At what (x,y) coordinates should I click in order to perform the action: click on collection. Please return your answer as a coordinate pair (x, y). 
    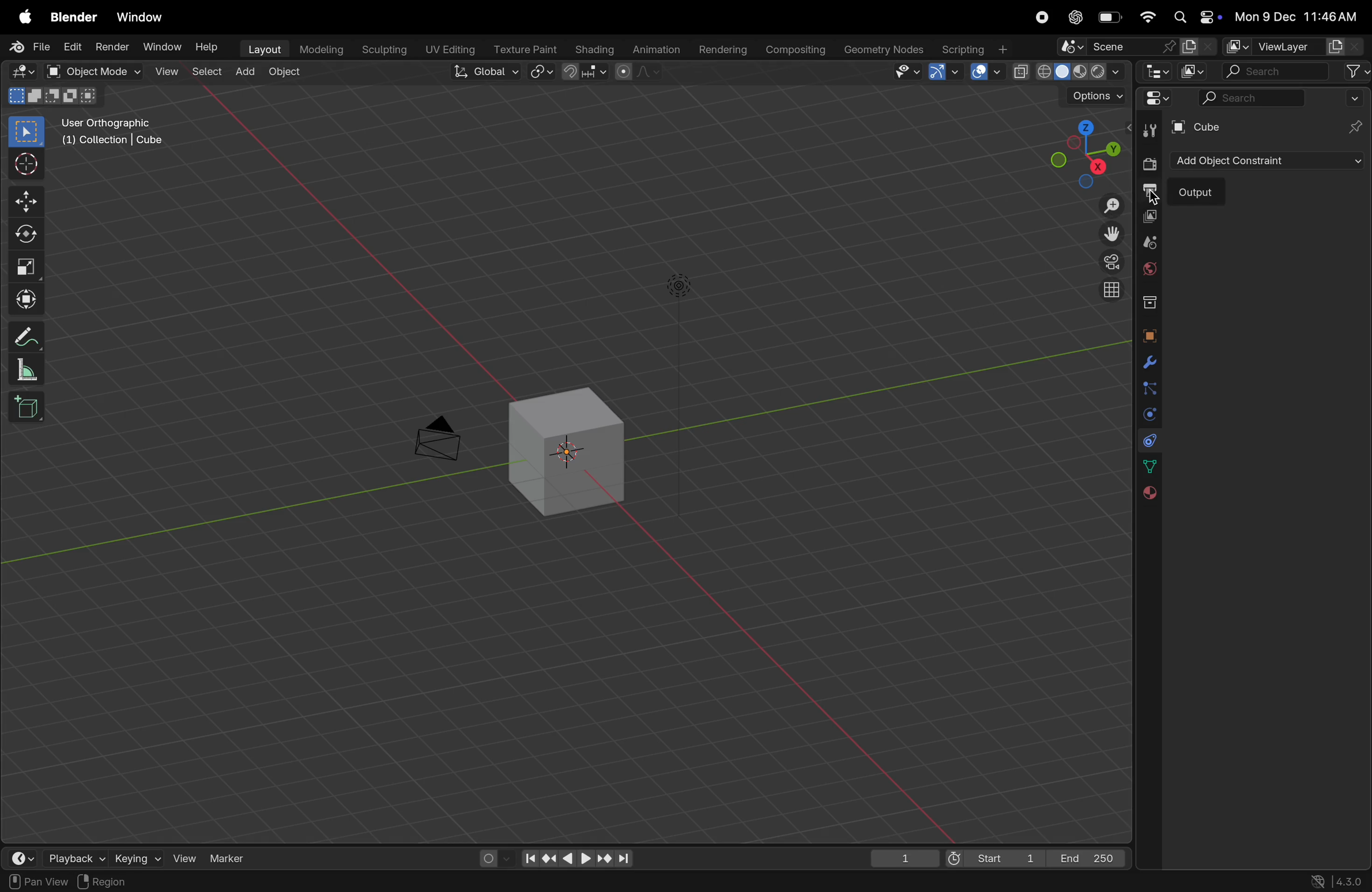
    Looking at the image, I should click on (1150, 305).